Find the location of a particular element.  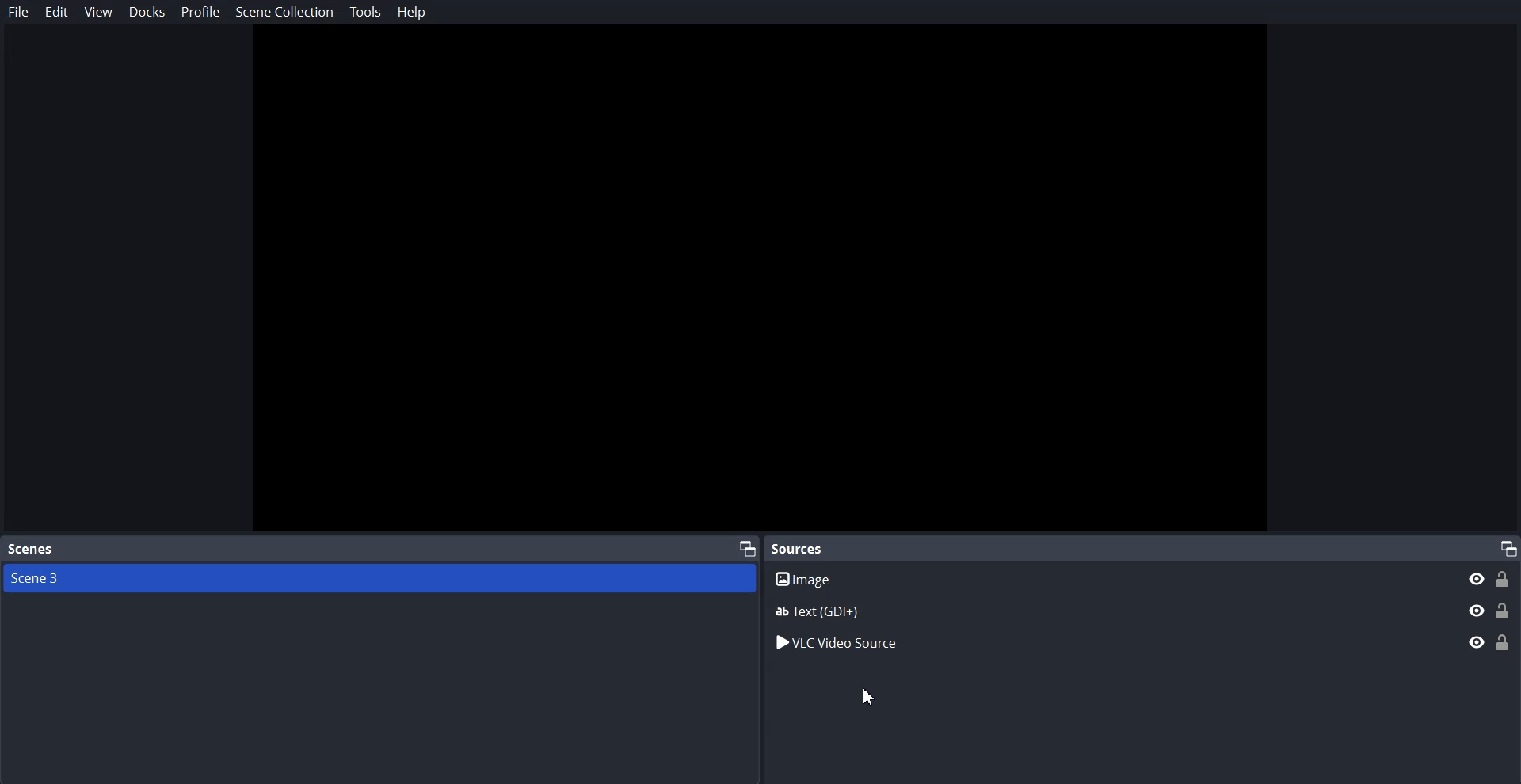

Maximize is located at coordinates (748, 547).